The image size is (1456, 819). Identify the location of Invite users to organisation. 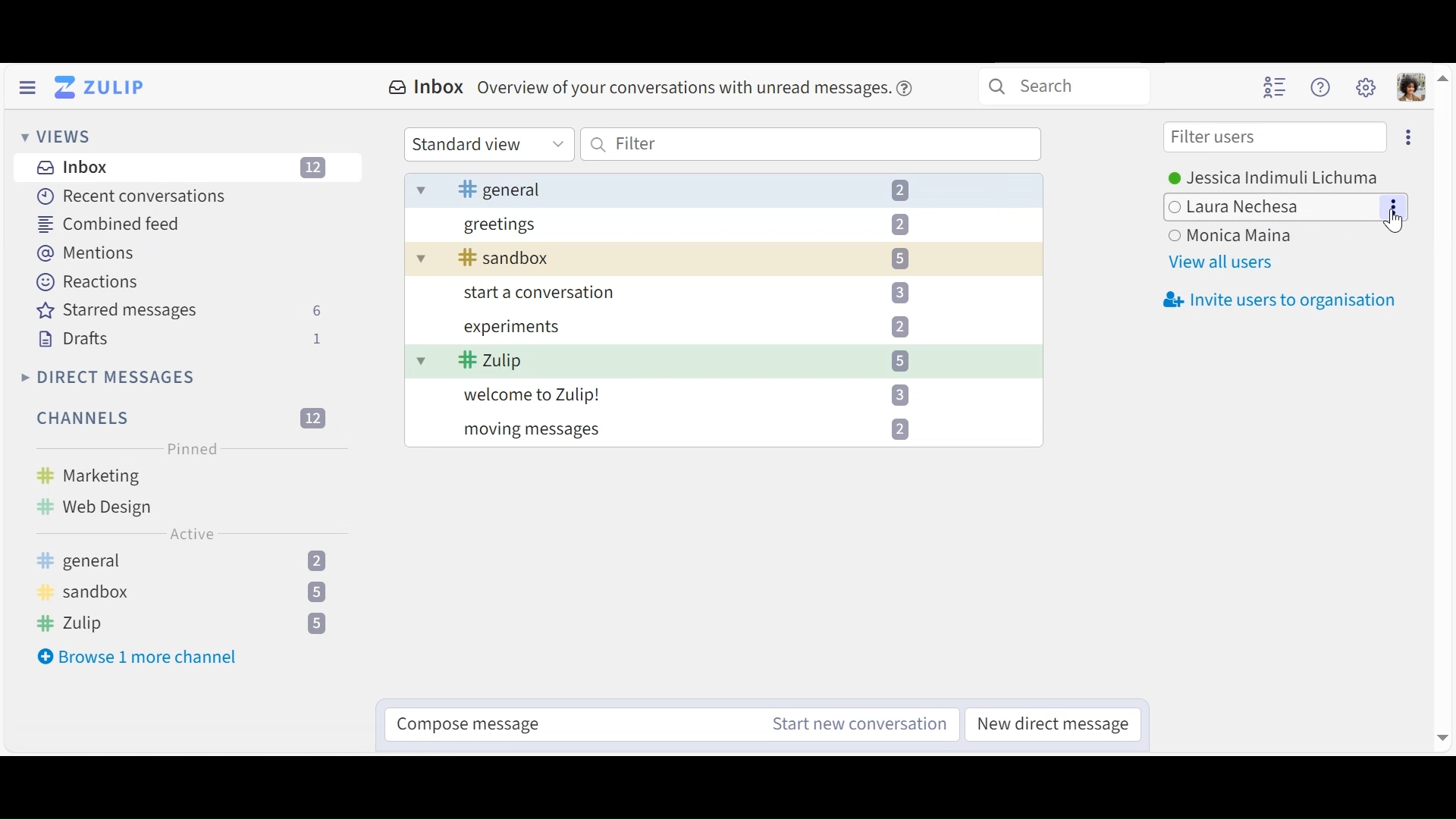
(1272, 300).